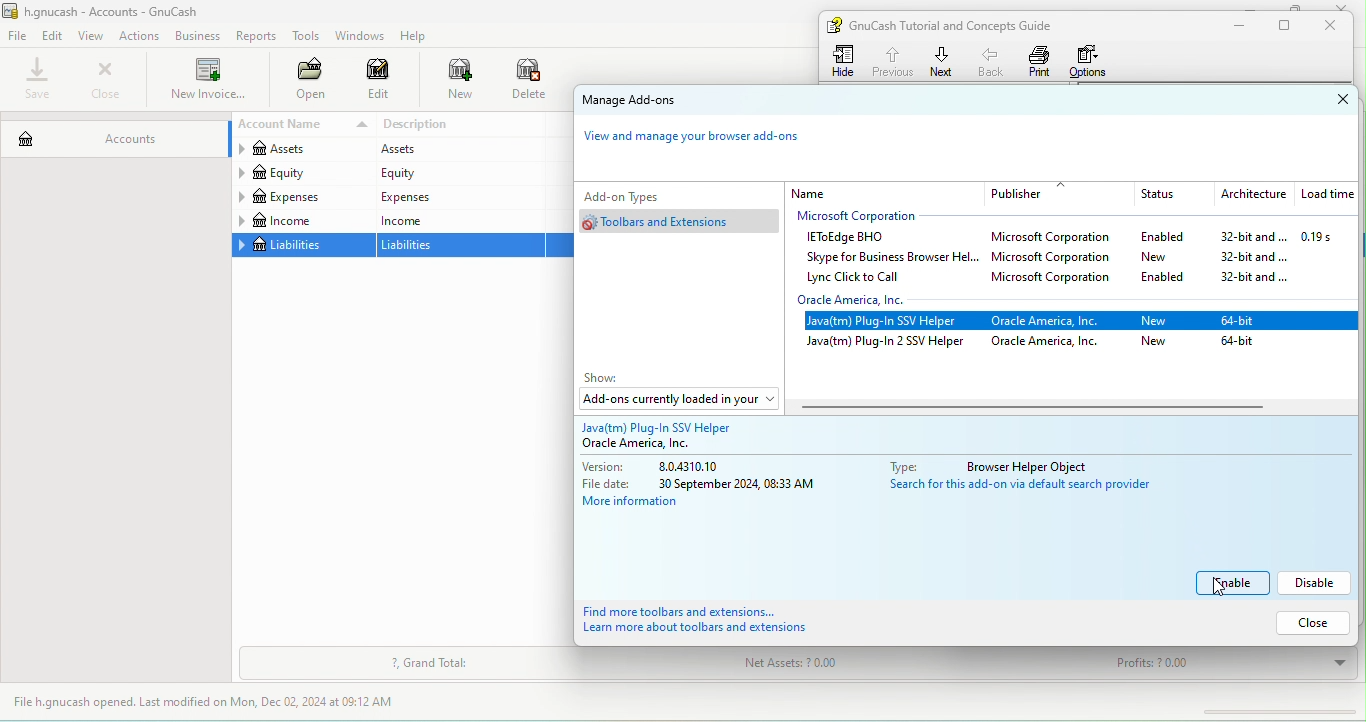  What do you see at coordinates (1288, 26) in the screenshot?
I see `maximize` at bounding box center [1288, 26].